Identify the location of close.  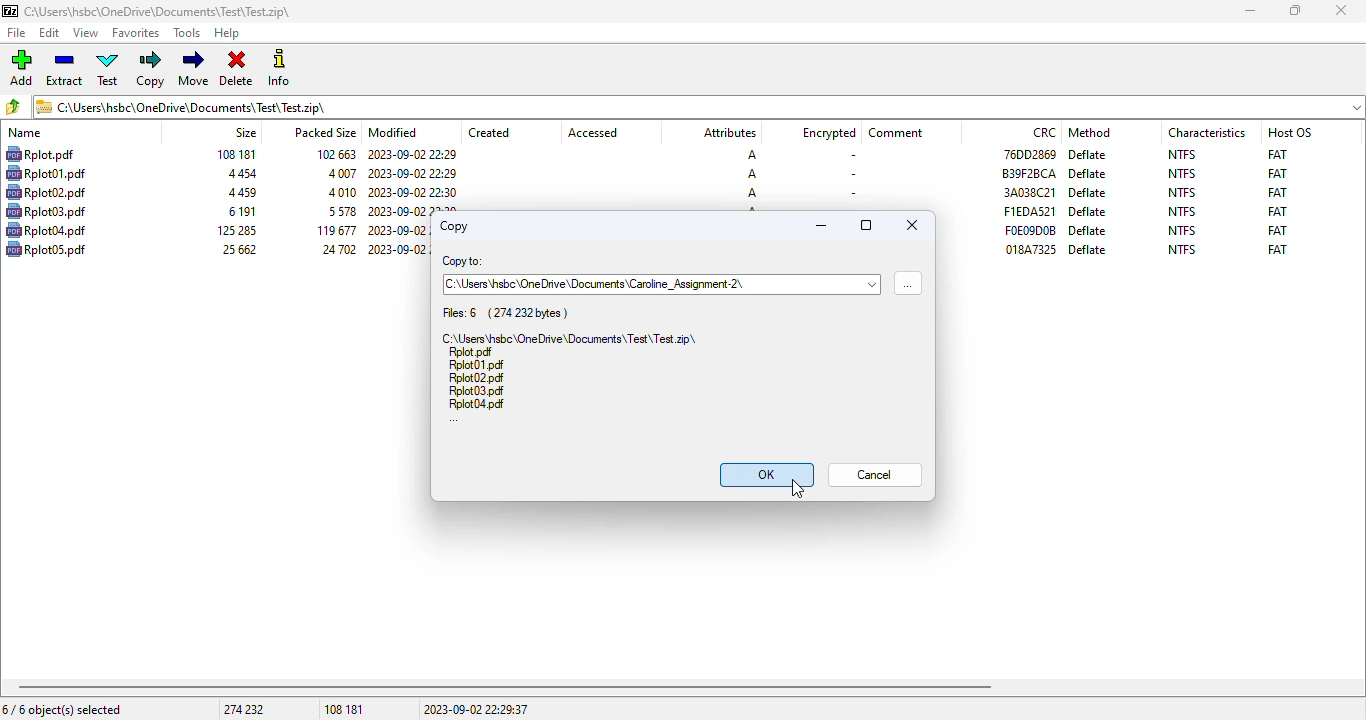
(912, 224).